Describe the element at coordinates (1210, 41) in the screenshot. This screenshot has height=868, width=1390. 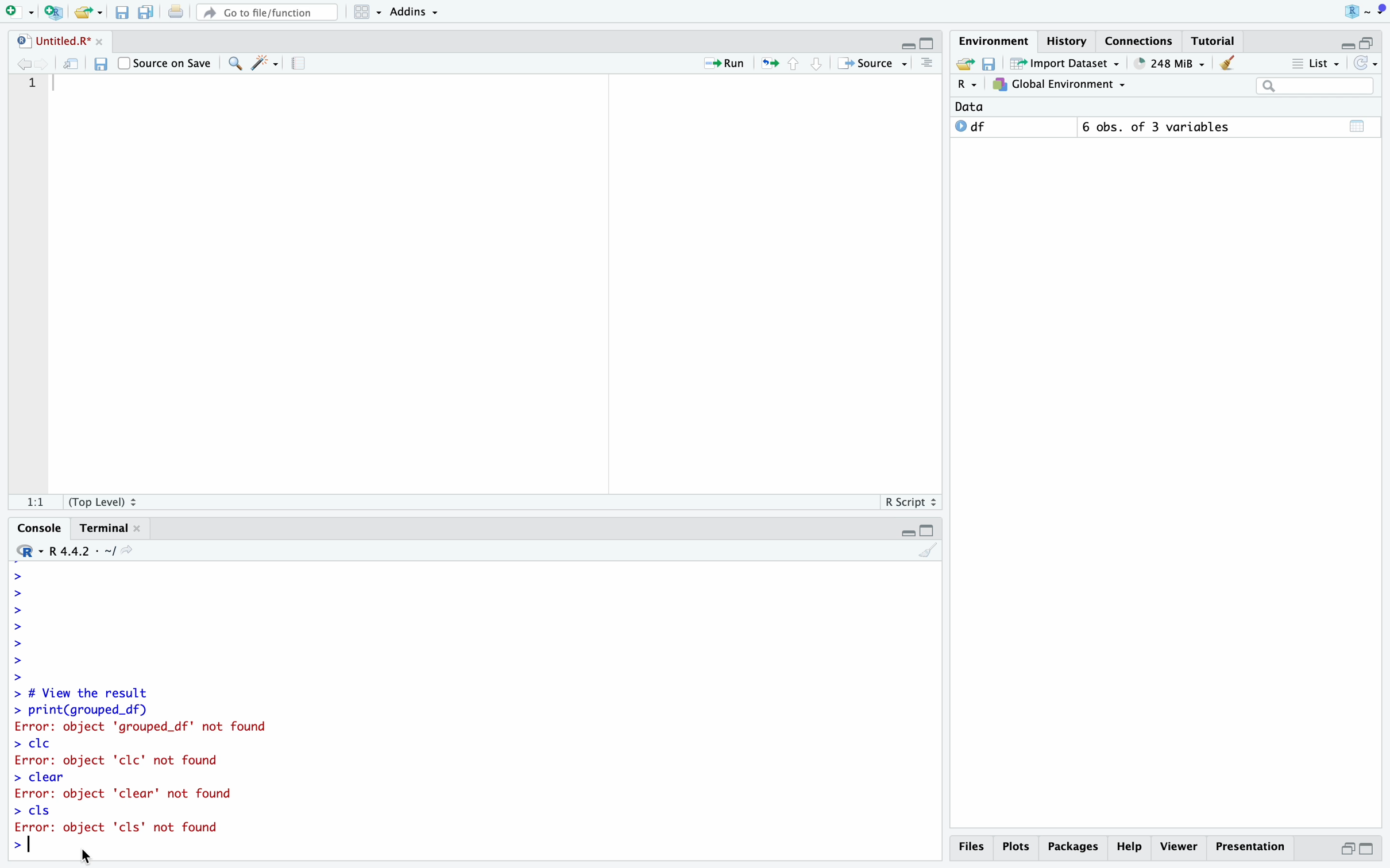
I see `Tutorial` at that location.